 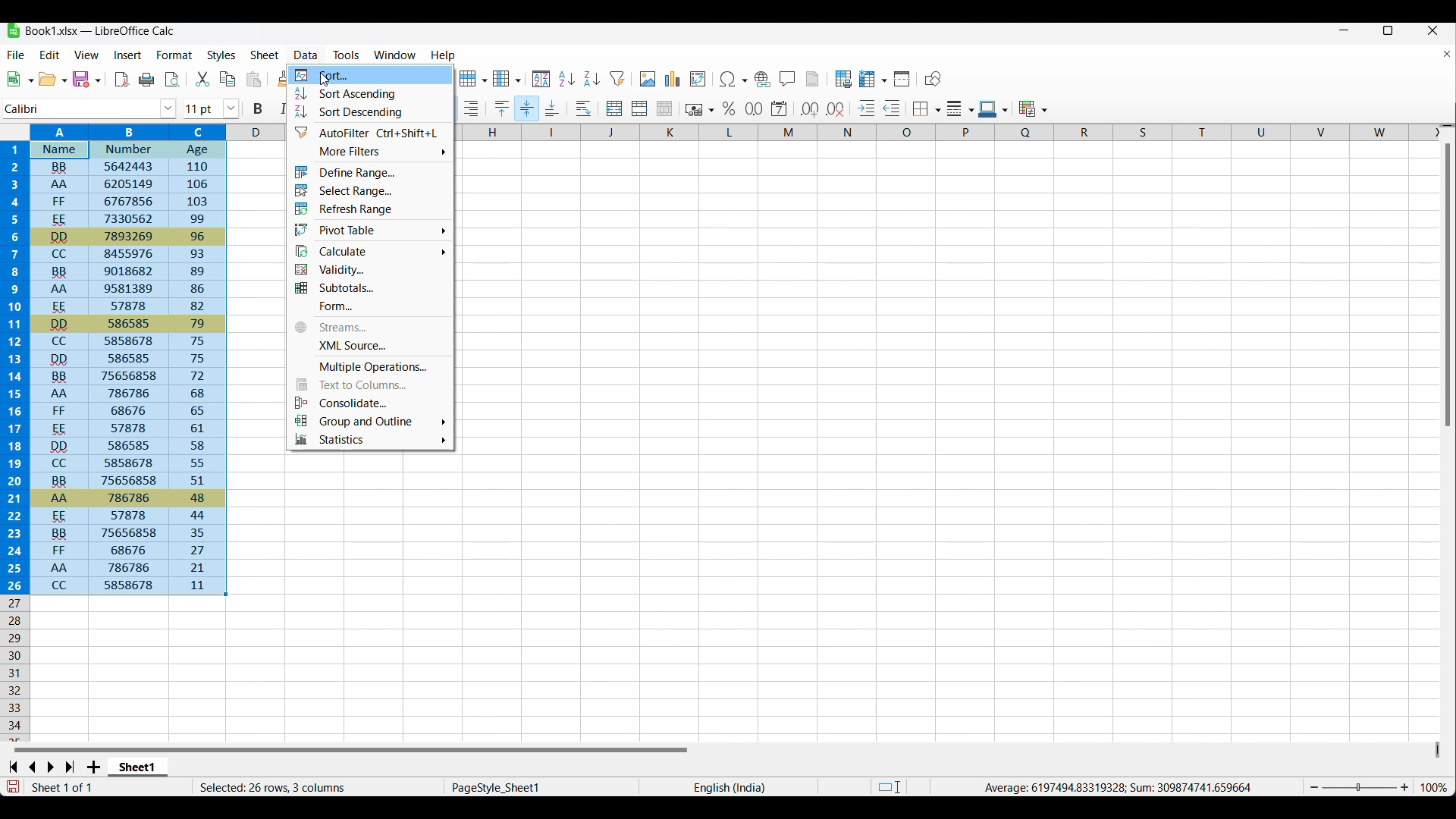 What do you see at coordinates (52, 79) in the screenshot?
I see `Open options` at bounding box center [52, 79].